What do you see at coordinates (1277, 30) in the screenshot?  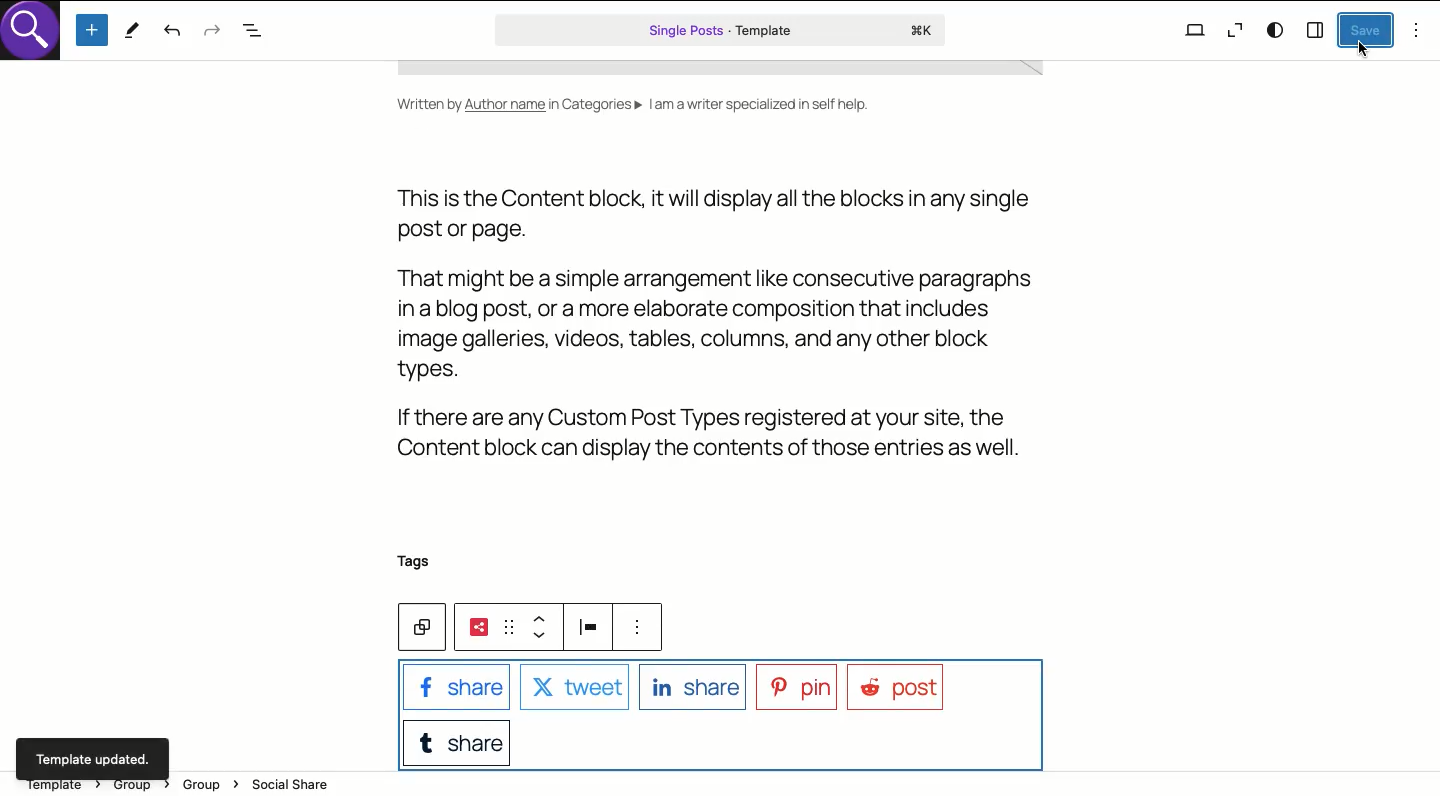 I see `Style` at bounding box center [1277, 30].